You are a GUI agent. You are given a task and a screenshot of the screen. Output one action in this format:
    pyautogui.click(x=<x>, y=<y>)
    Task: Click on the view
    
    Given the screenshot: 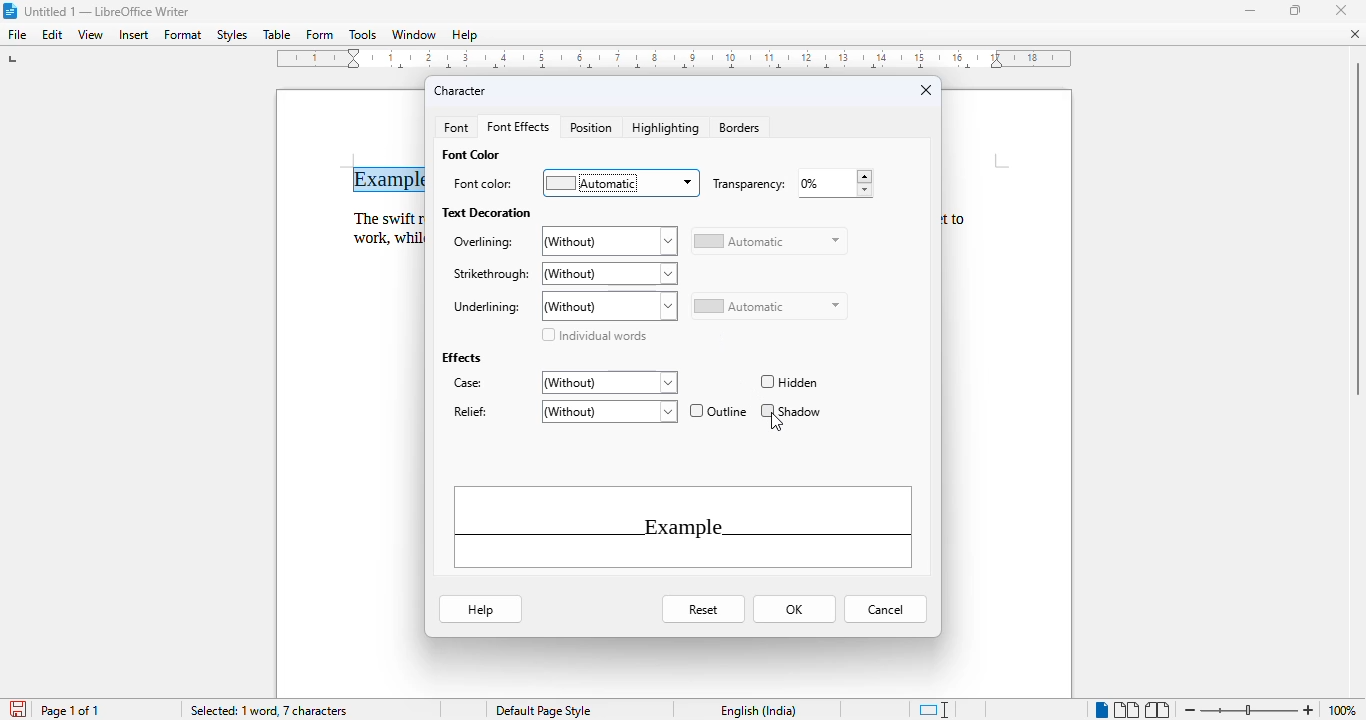 What is the action you would take?
    pyautogui.click(x=91, y=35)
    